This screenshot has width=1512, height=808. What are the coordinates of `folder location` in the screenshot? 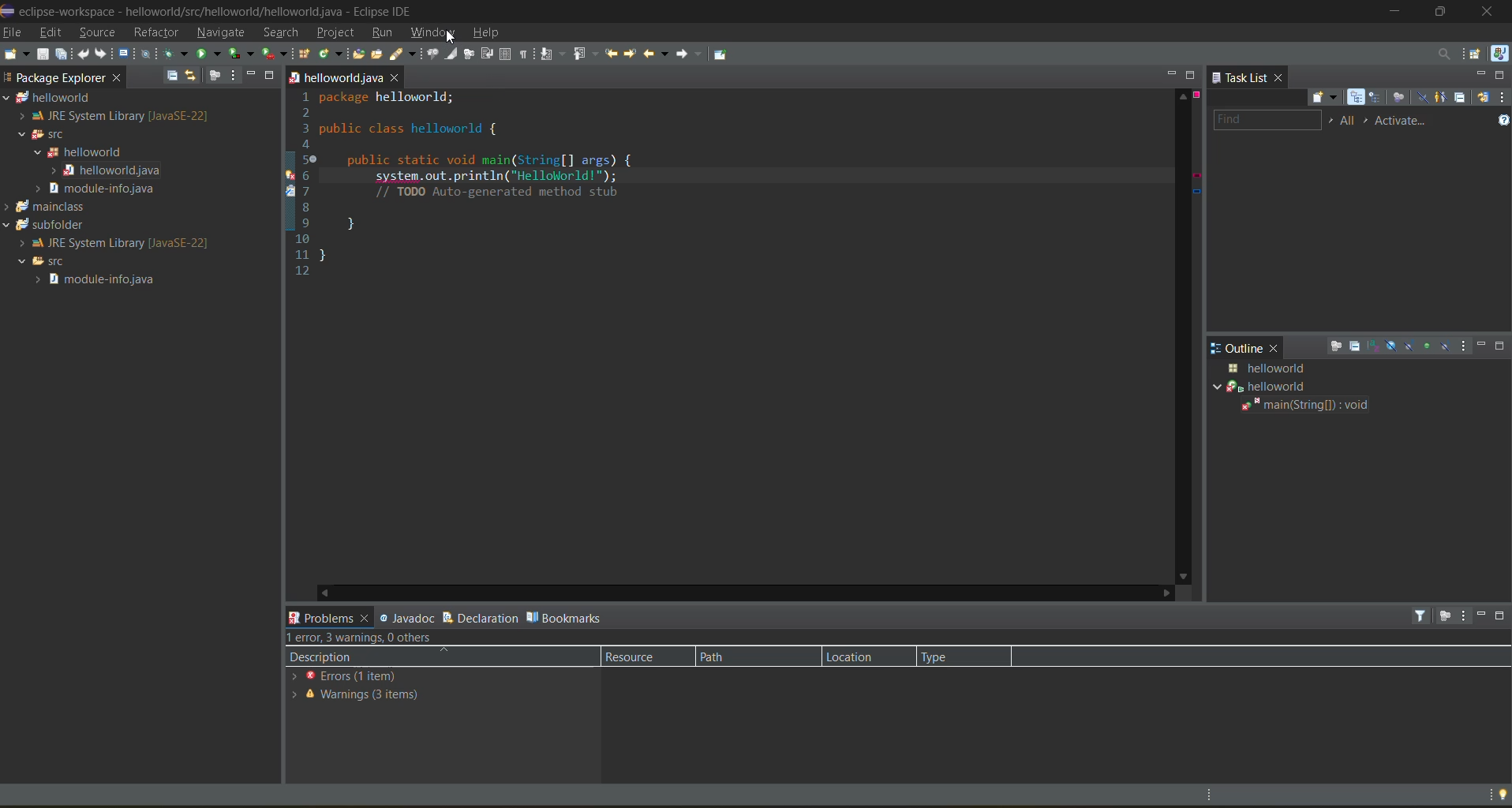 It's located at (335, 77).